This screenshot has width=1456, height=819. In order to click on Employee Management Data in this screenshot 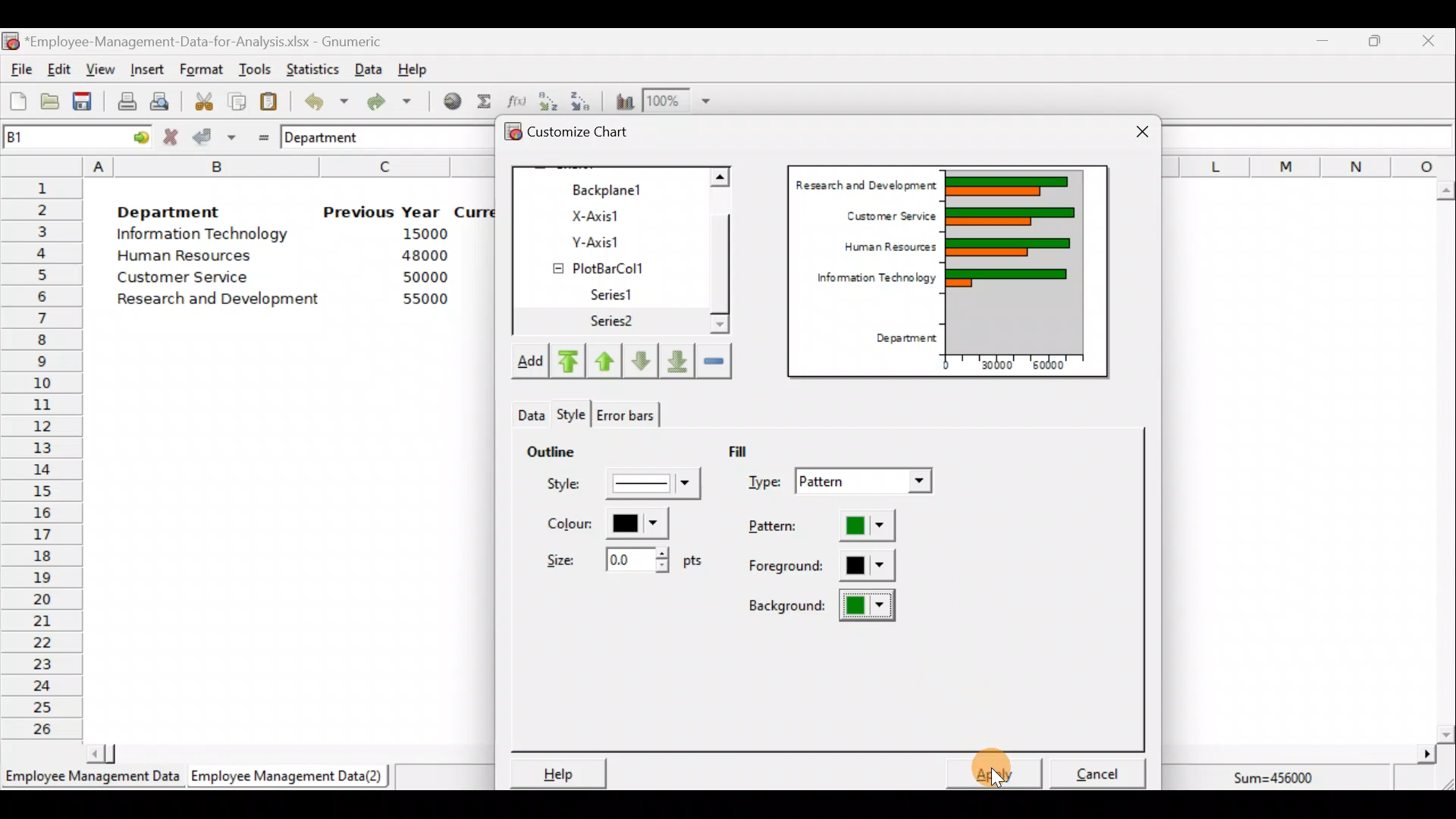, I will do `click(91, 781)`.